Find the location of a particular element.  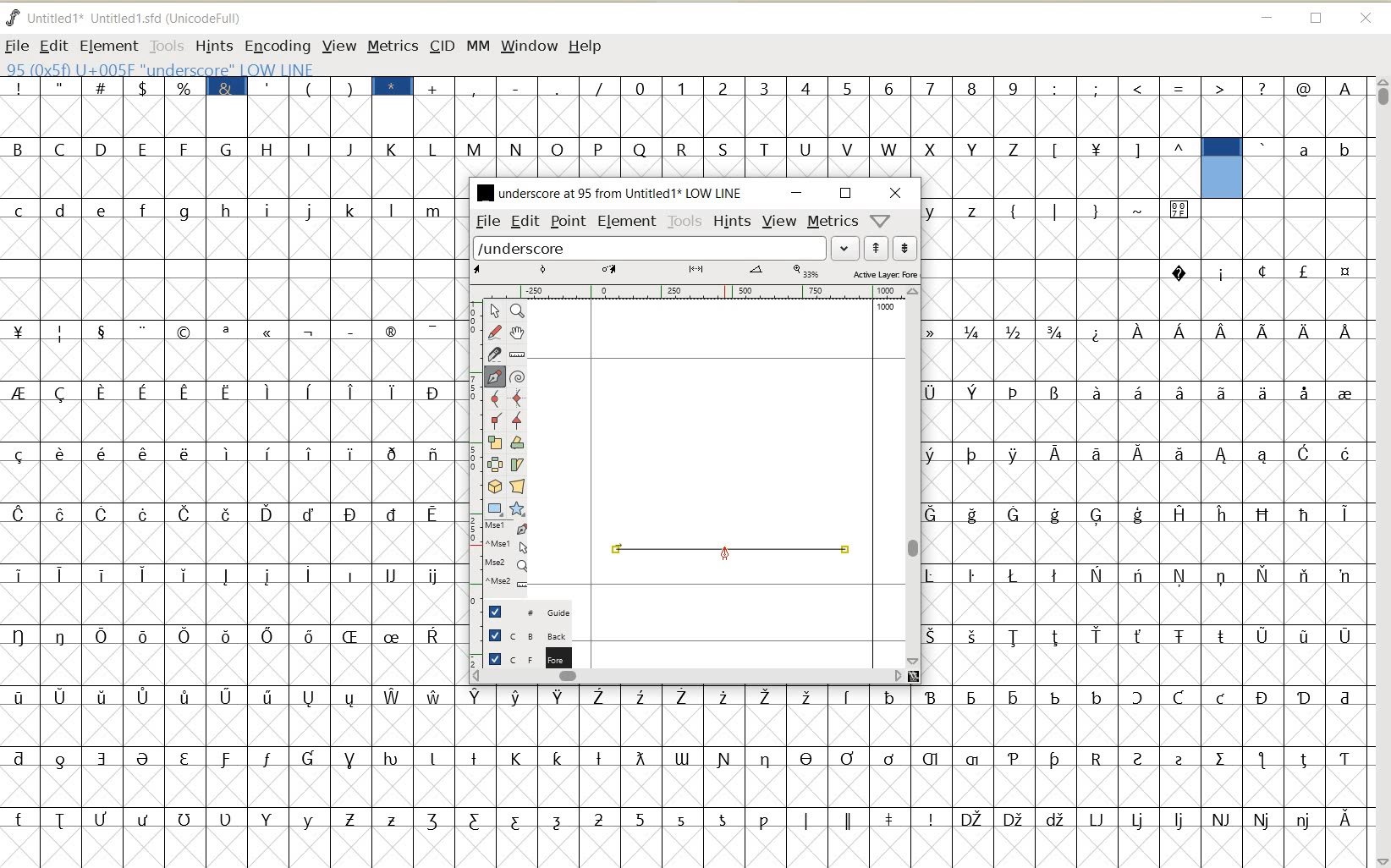

HELP is located at coordinates (587, 47).